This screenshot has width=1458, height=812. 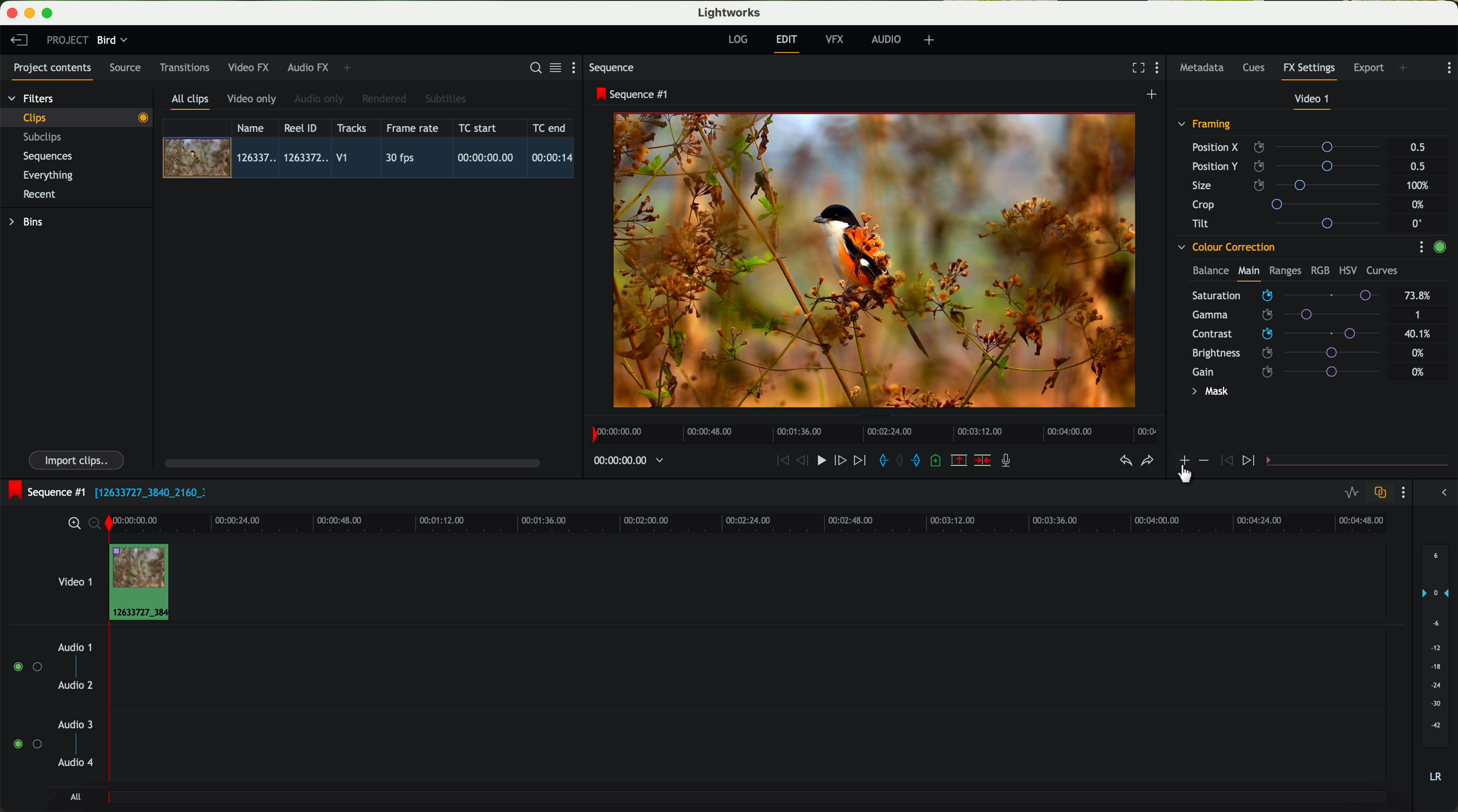 What do you see at coordinates (623, 461) in the screenshot?
I see `timeline` at bounding box center [623, 461].